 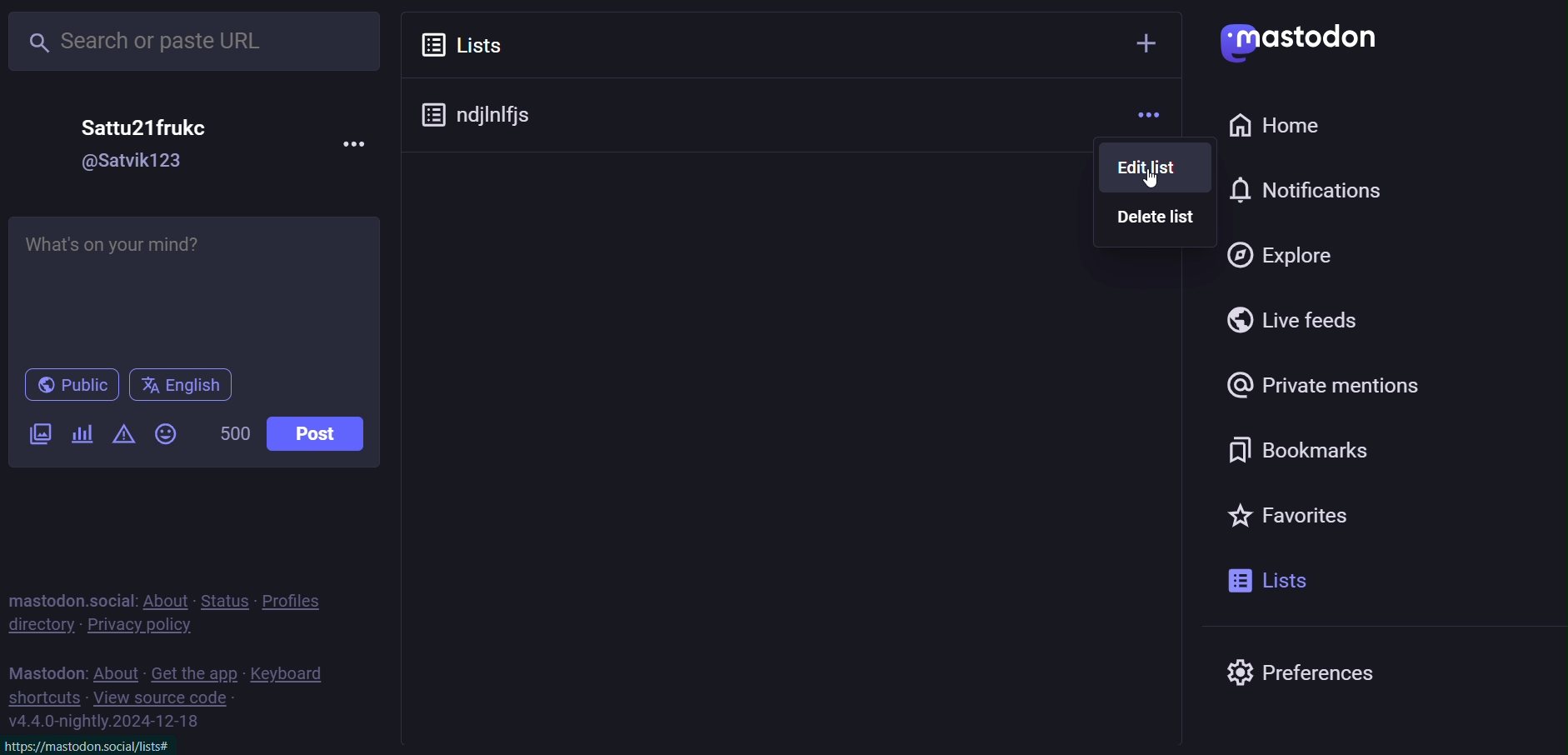 What do you see at coordinates (39, 623) in the screenshot?
I see `directory` at bounding box center [39, 623].